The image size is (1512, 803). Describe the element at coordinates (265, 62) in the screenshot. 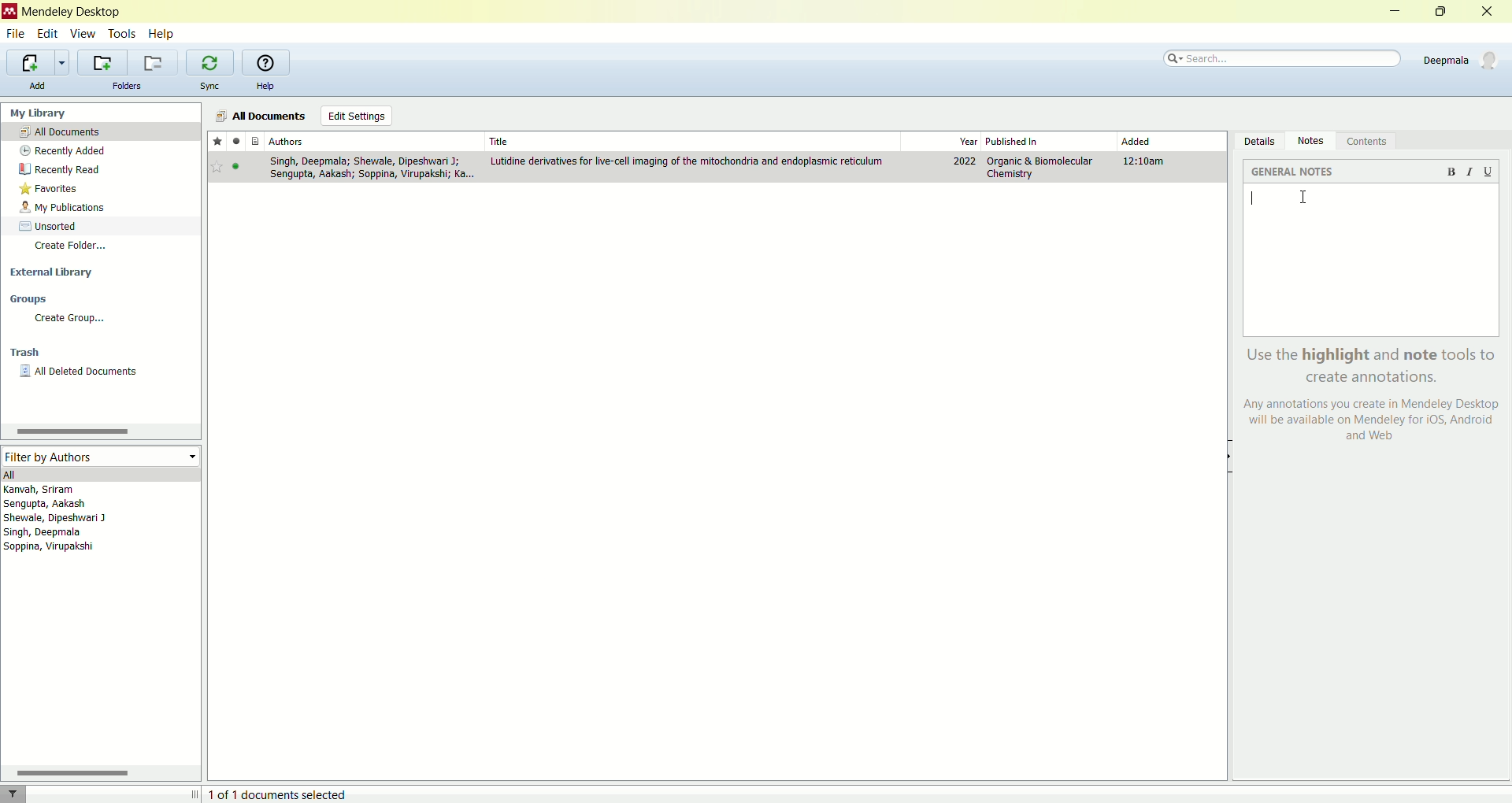

I see `open the online help guide for Mendeley` at that location.